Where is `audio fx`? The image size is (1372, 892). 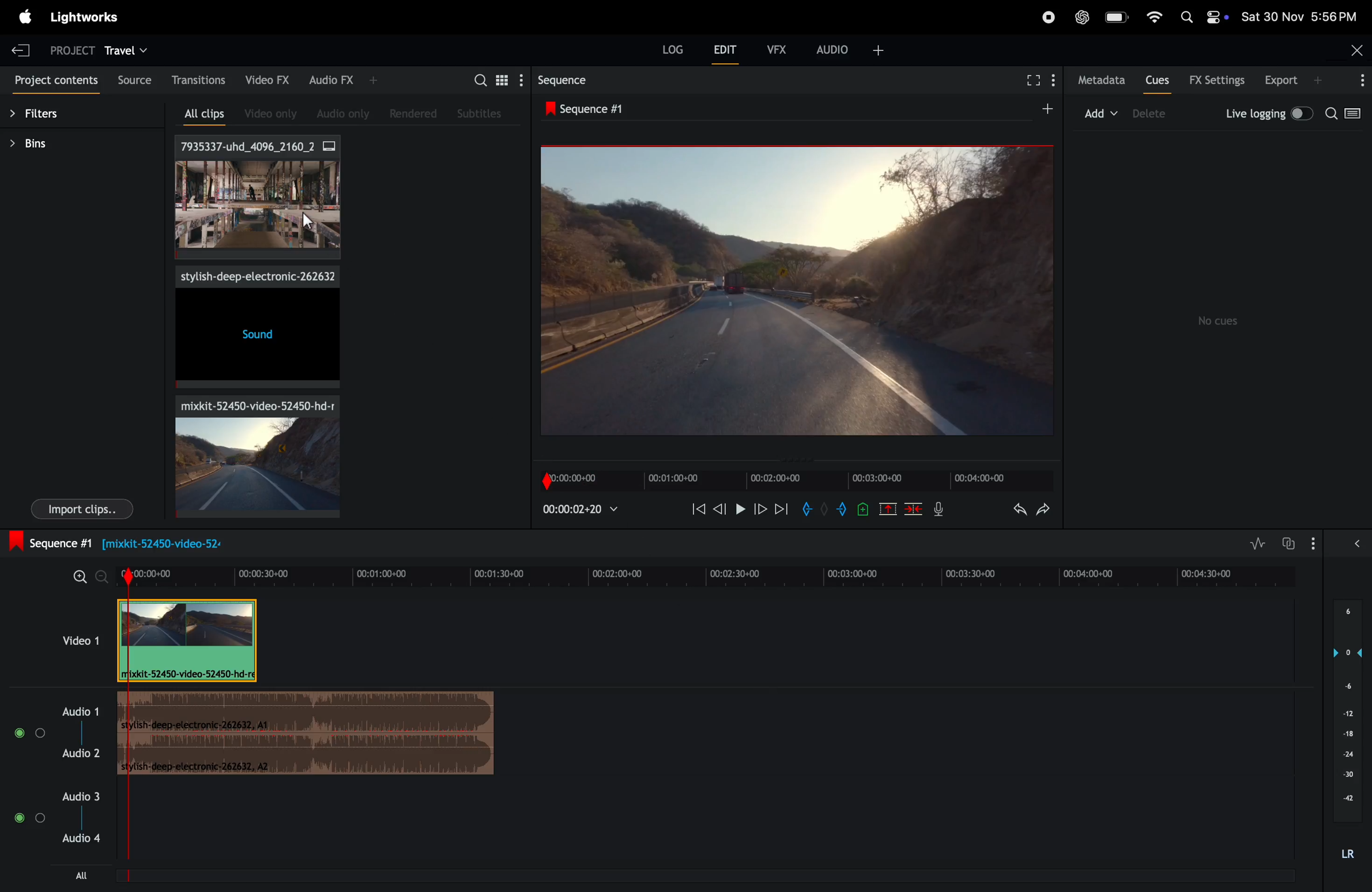
audio fx is located at coordinates (336, 80).